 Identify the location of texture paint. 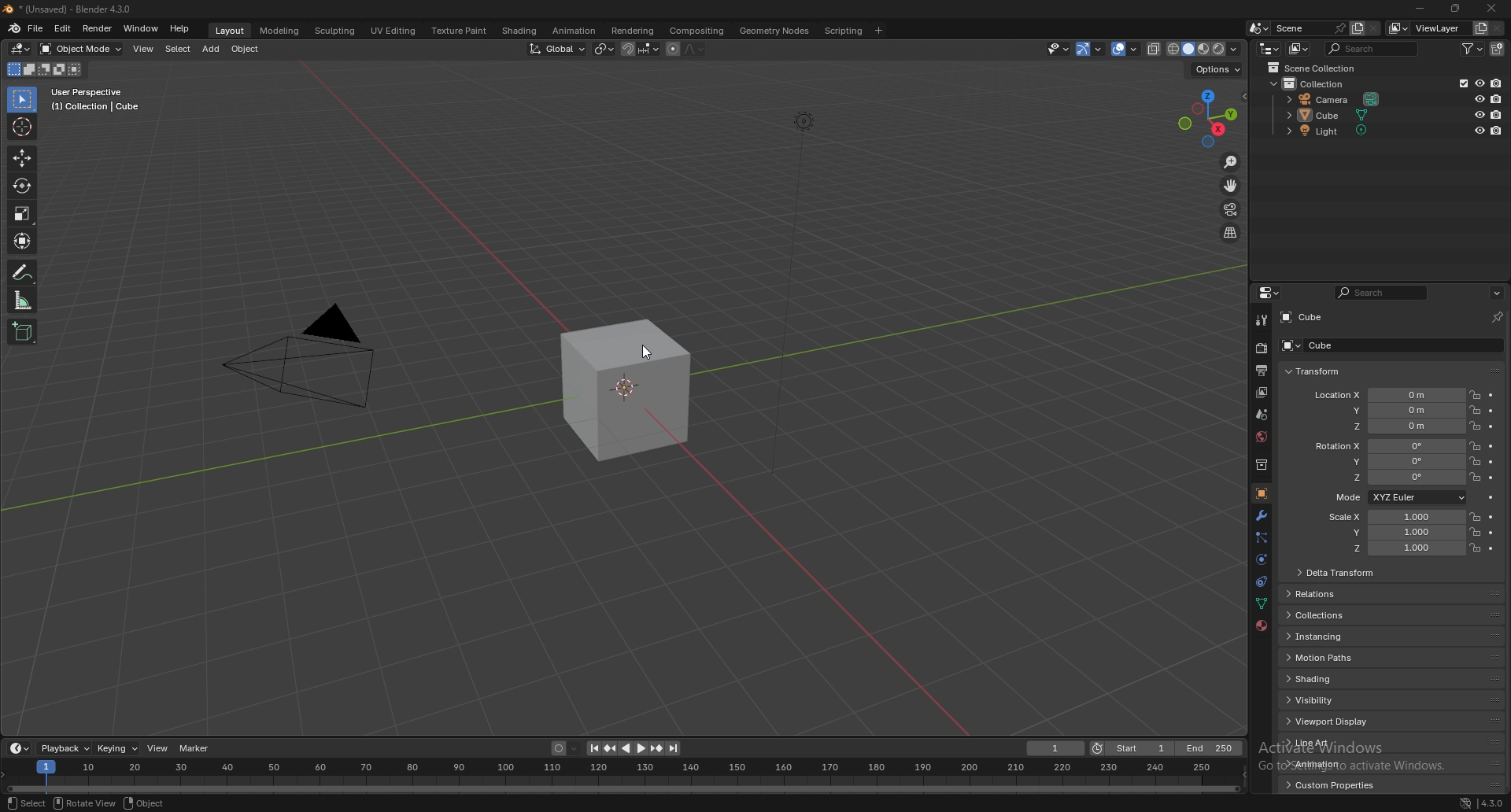
(461, 31).